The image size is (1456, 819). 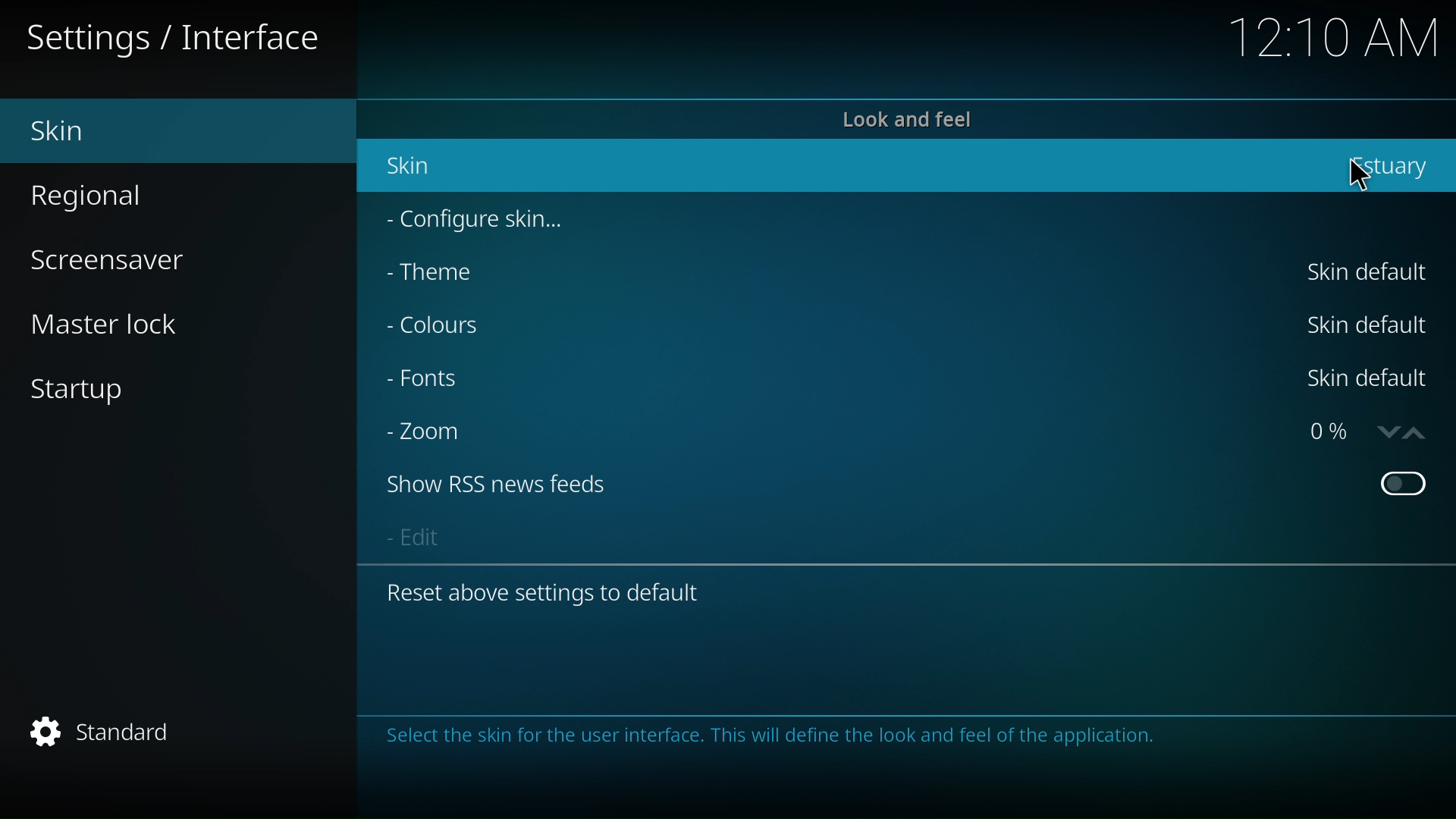 I want to click on theme, so click(x=427, y=275).